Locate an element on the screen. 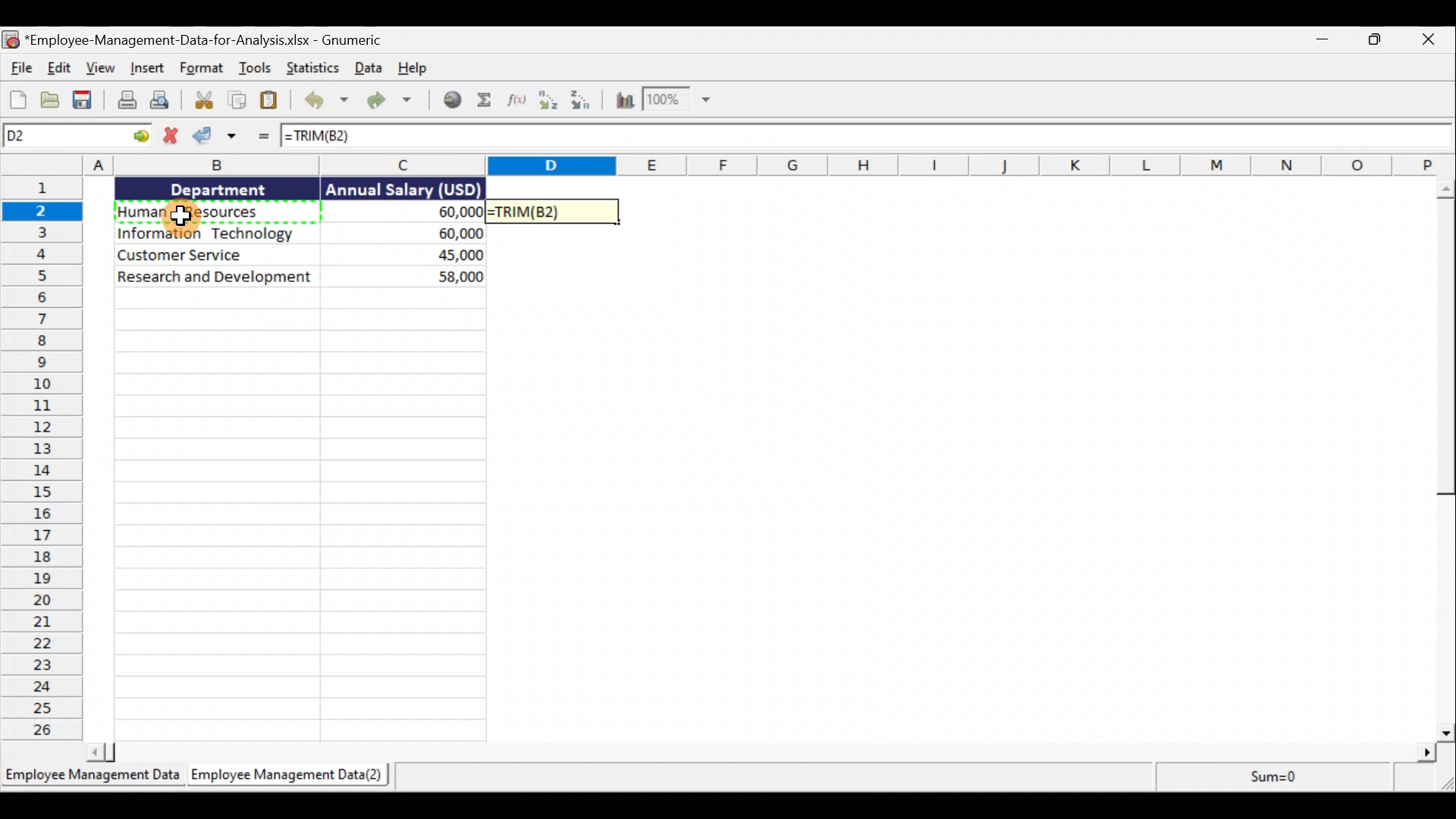 The height and width of the screenshot is (819, 1456). sum=0 is located at coordinates (1263, 778).